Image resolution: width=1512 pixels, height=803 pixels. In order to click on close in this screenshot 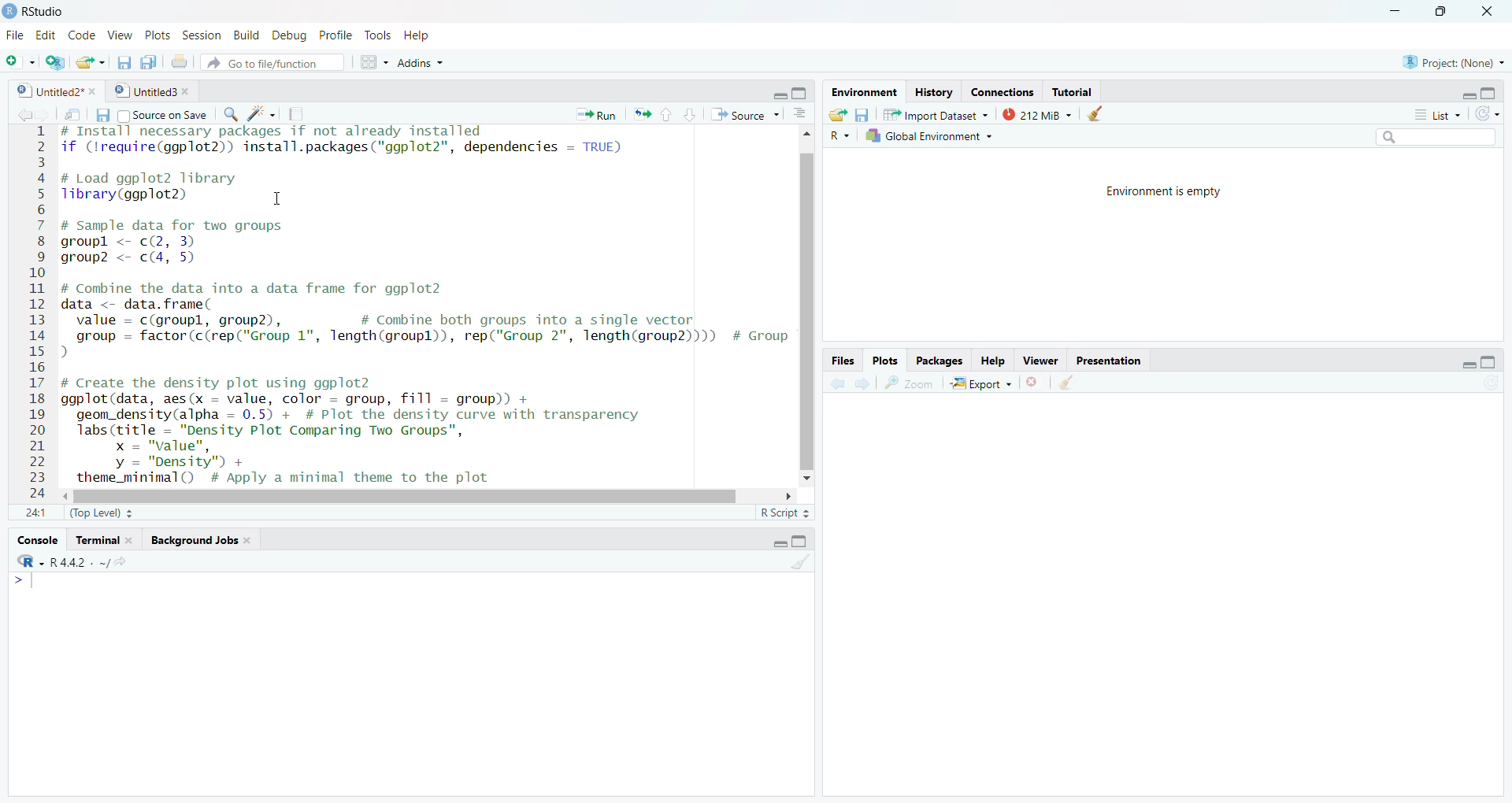, I will do `click(1037, 381)`.